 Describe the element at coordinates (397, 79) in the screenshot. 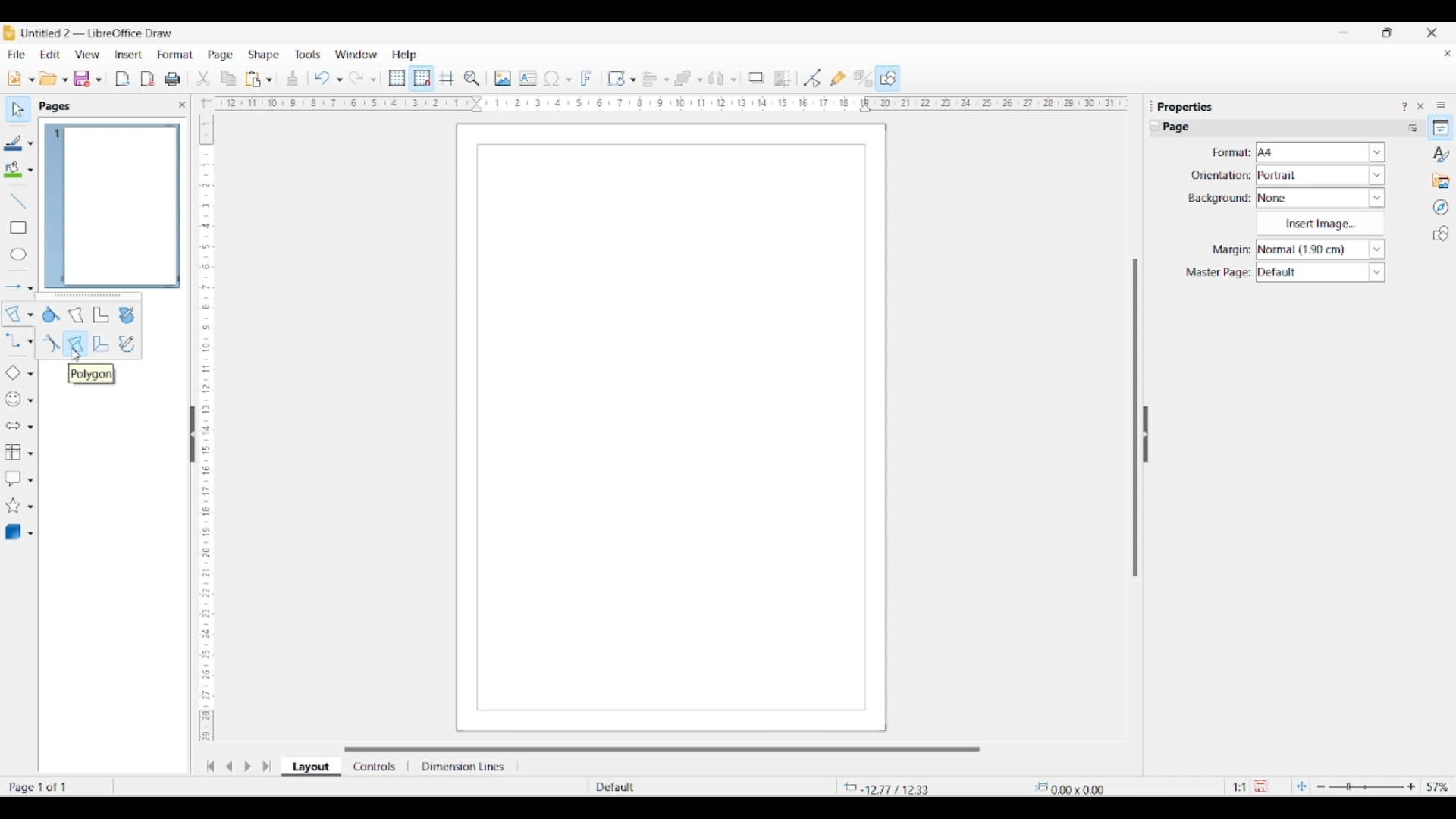

I see `Display grid` at that location.